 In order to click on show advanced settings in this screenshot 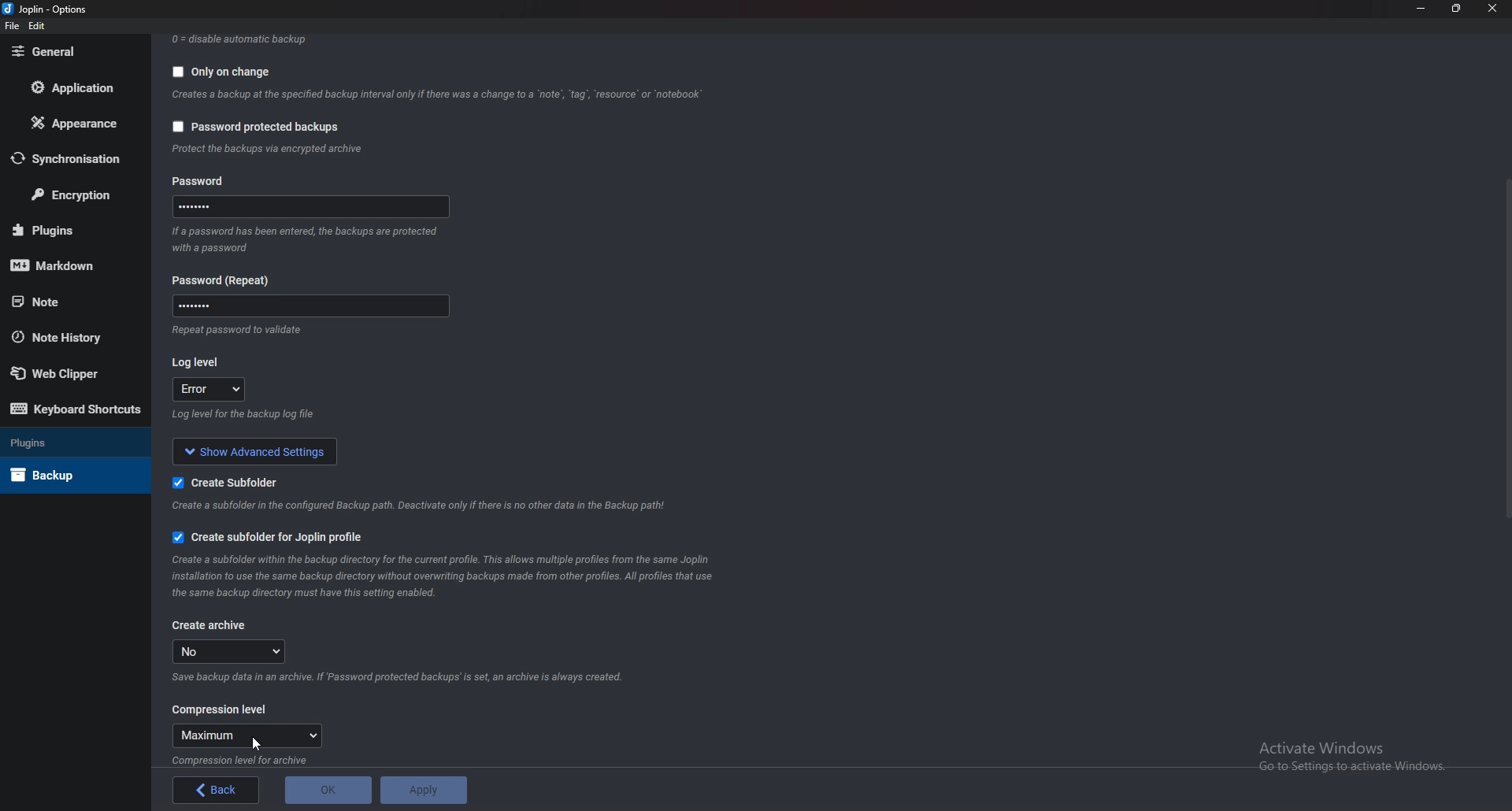, I will do `click(250, 450)`.